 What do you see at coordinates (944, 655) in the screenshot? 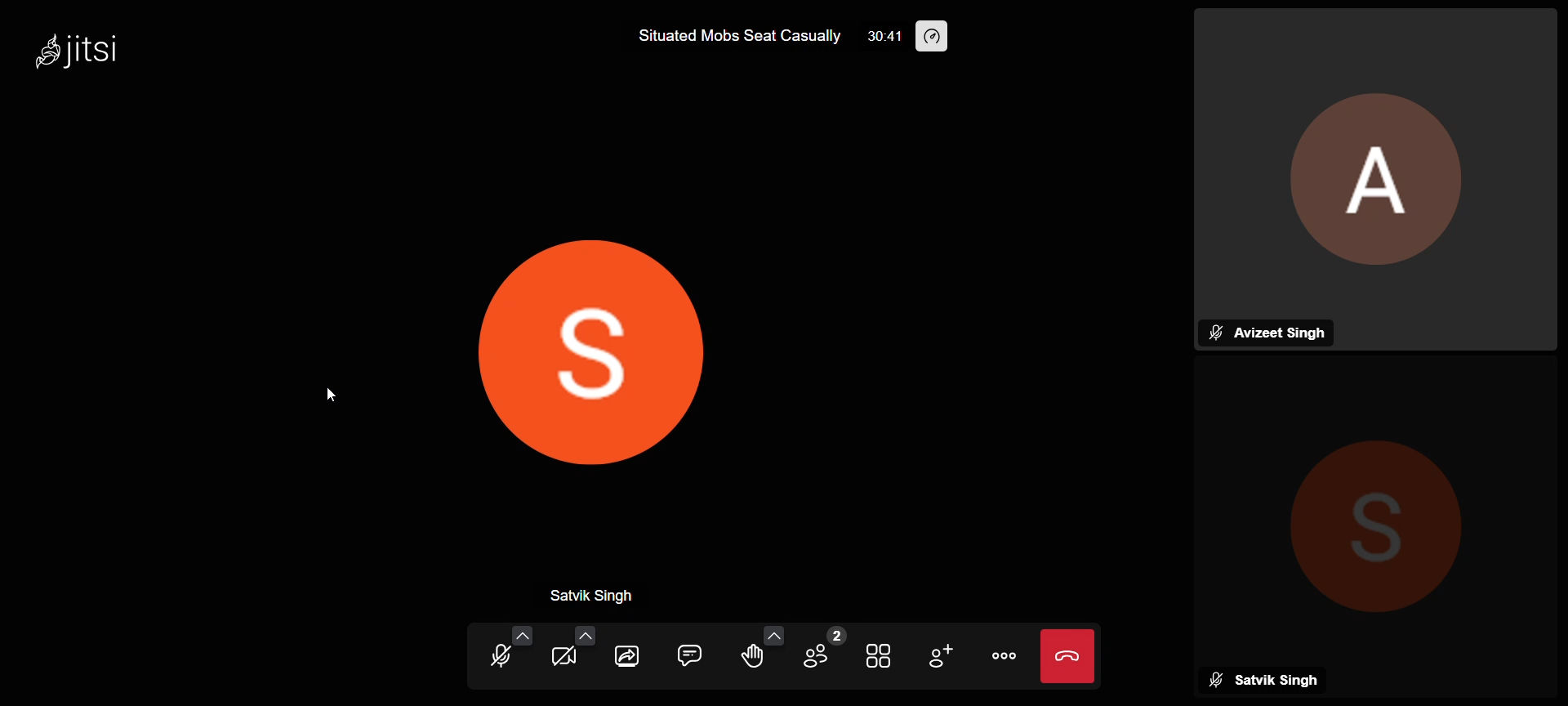
I see `invite people` at bounding box center [944, 655].